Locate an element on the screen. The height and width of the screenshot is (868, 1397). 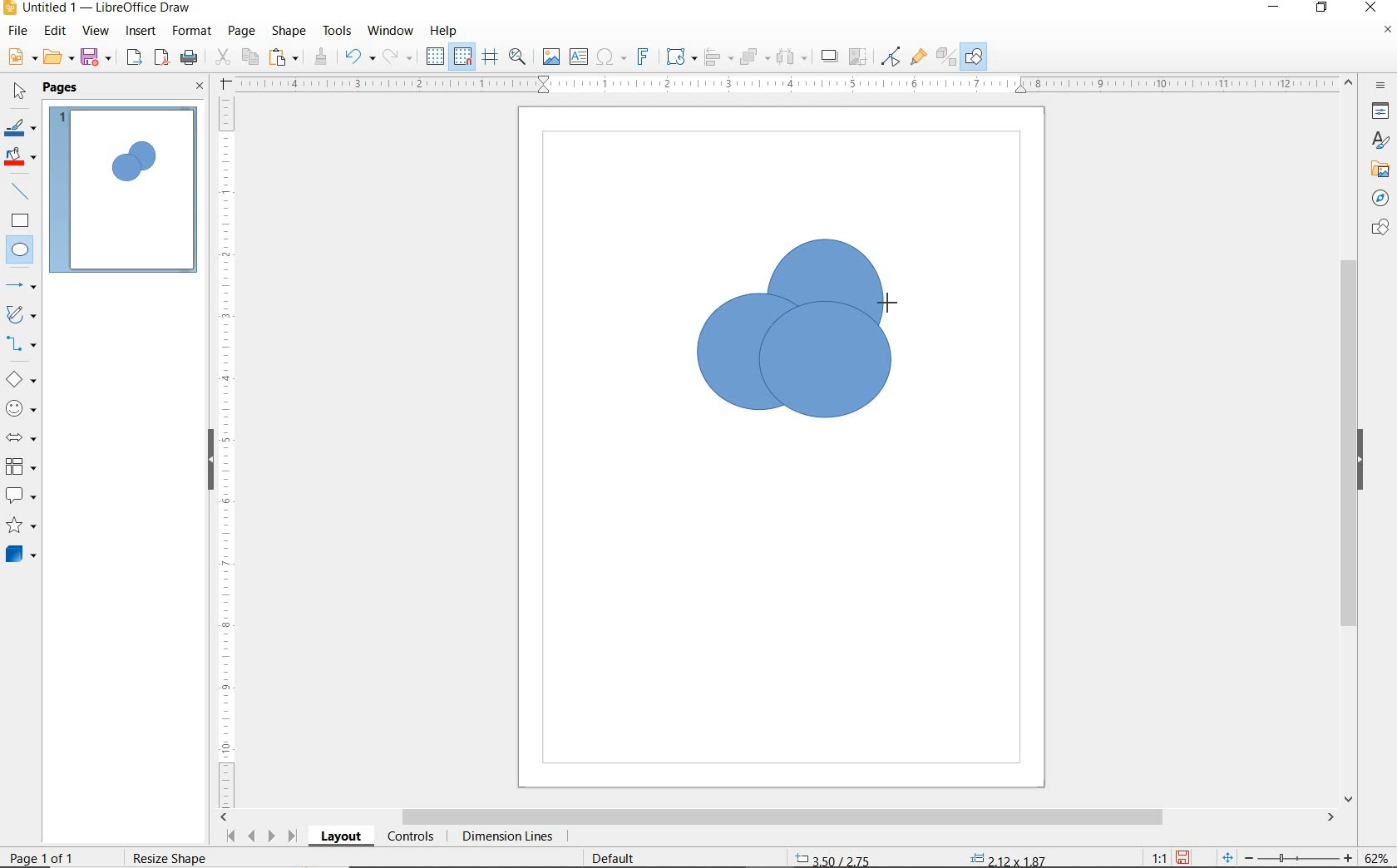
SHADOW is located at coordinates (830, 58).